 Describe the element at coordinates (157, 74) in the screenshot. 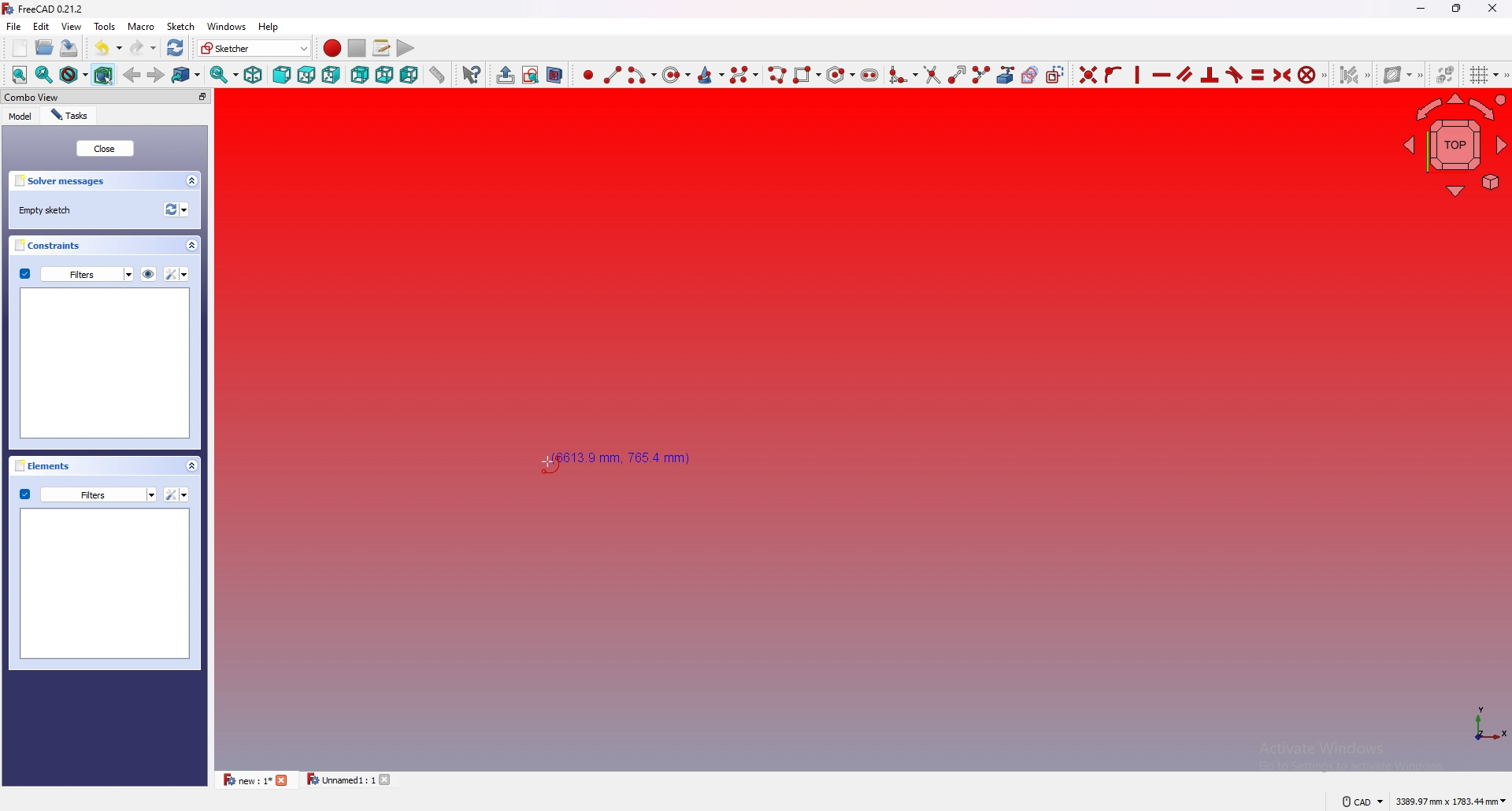

I see `forward` at that location.